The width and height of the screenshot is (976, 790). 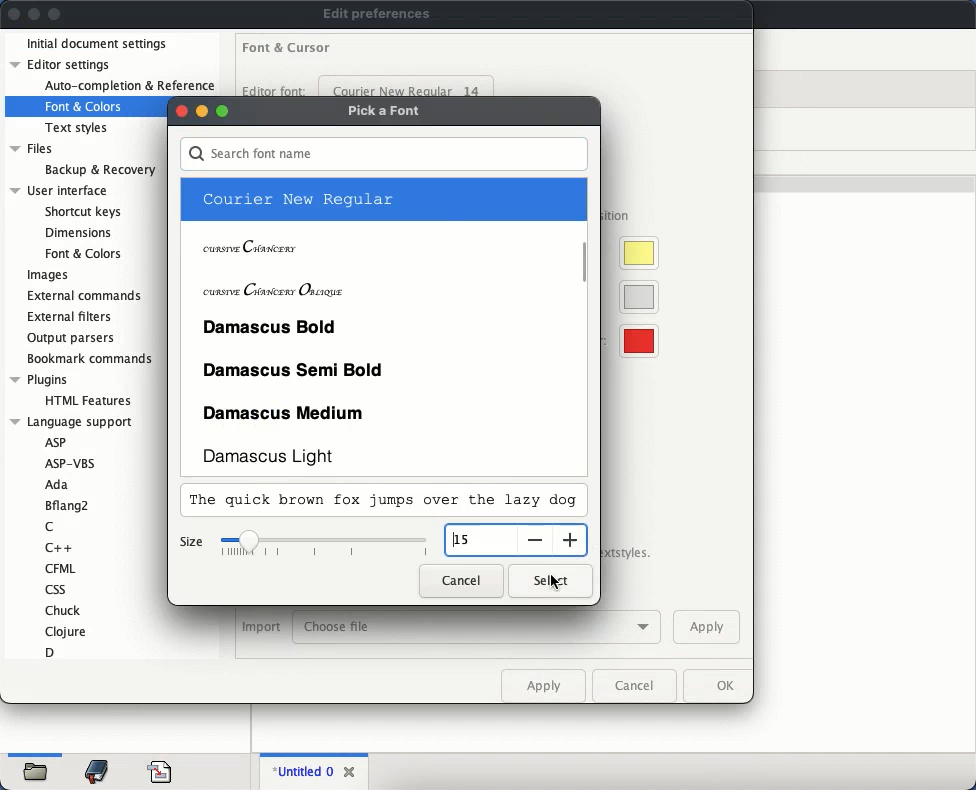 What do you see at coordinates (87, 360) in the screenshot?
I see `bookmark command` at bounding box center [87, 360].